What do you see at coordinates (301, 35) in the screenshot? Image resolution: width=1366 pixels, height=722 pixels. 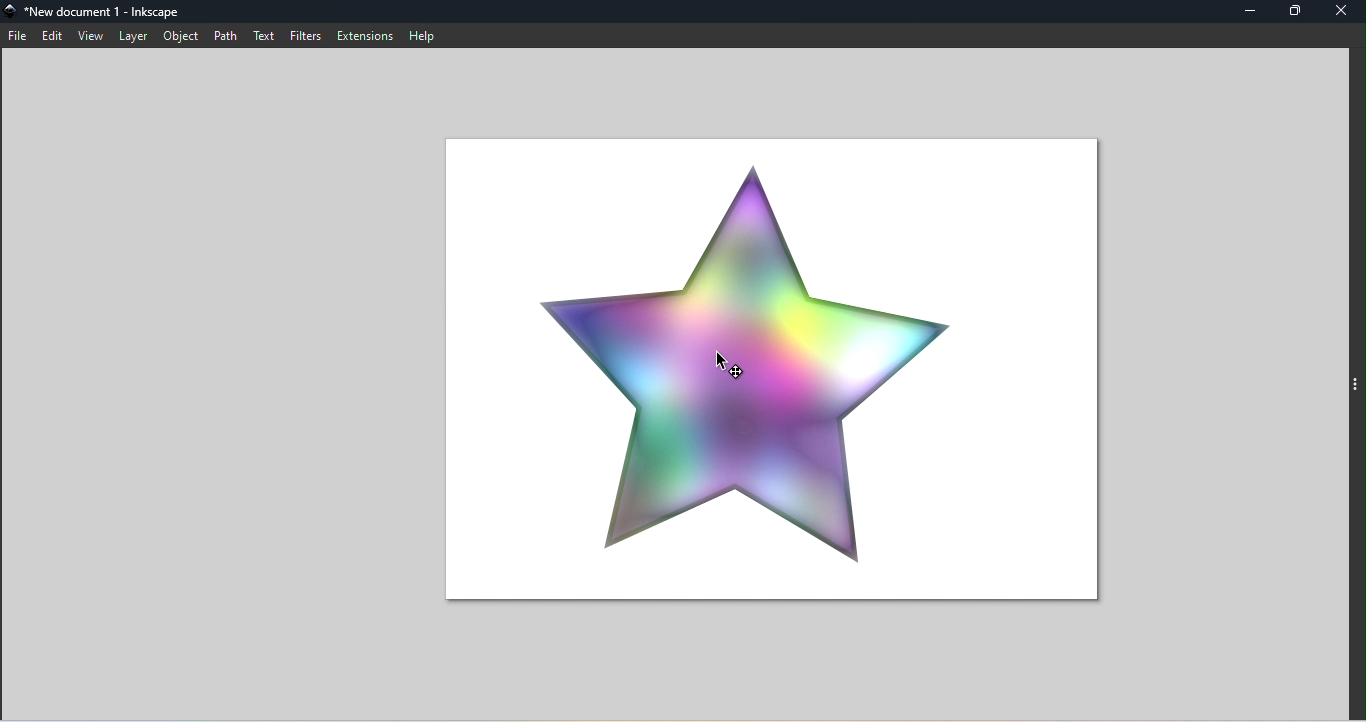 I see `Filters` at bounding box center [301, 35].